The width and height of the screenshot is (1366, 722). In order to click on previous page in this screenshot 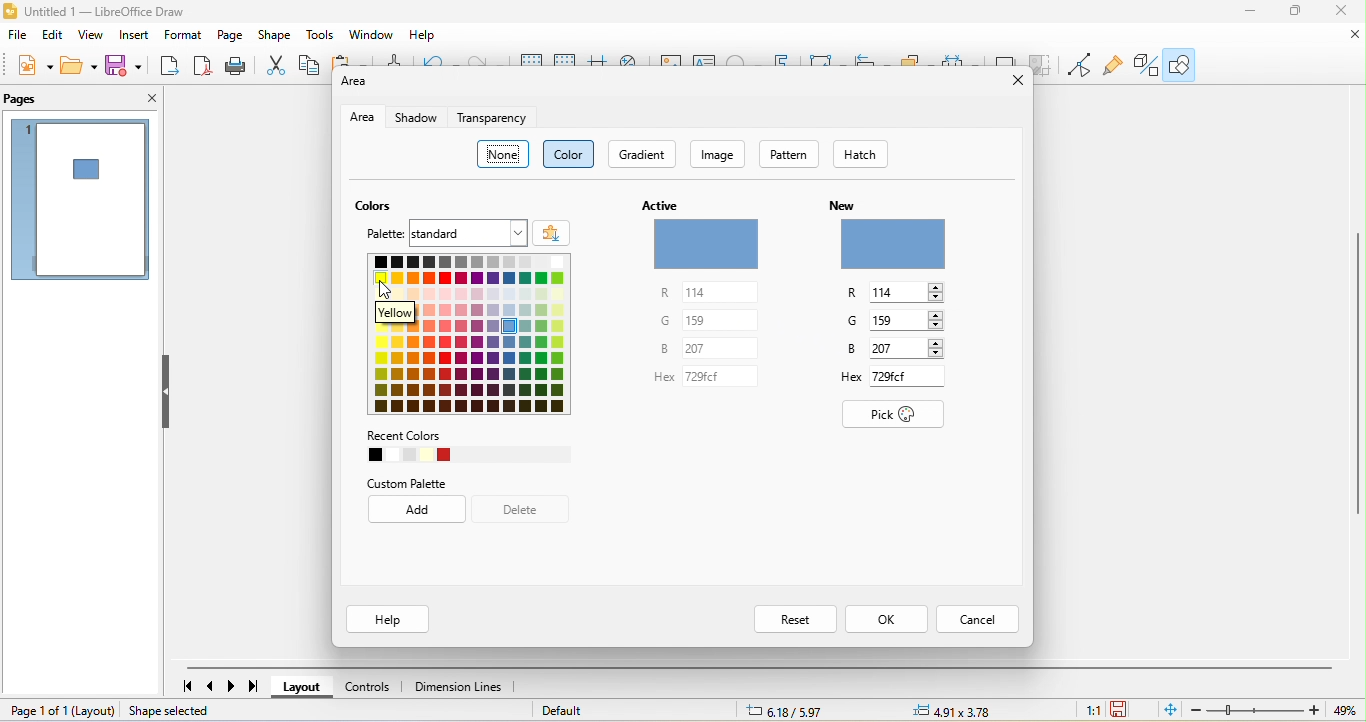, I will do `click(210, 685)`.